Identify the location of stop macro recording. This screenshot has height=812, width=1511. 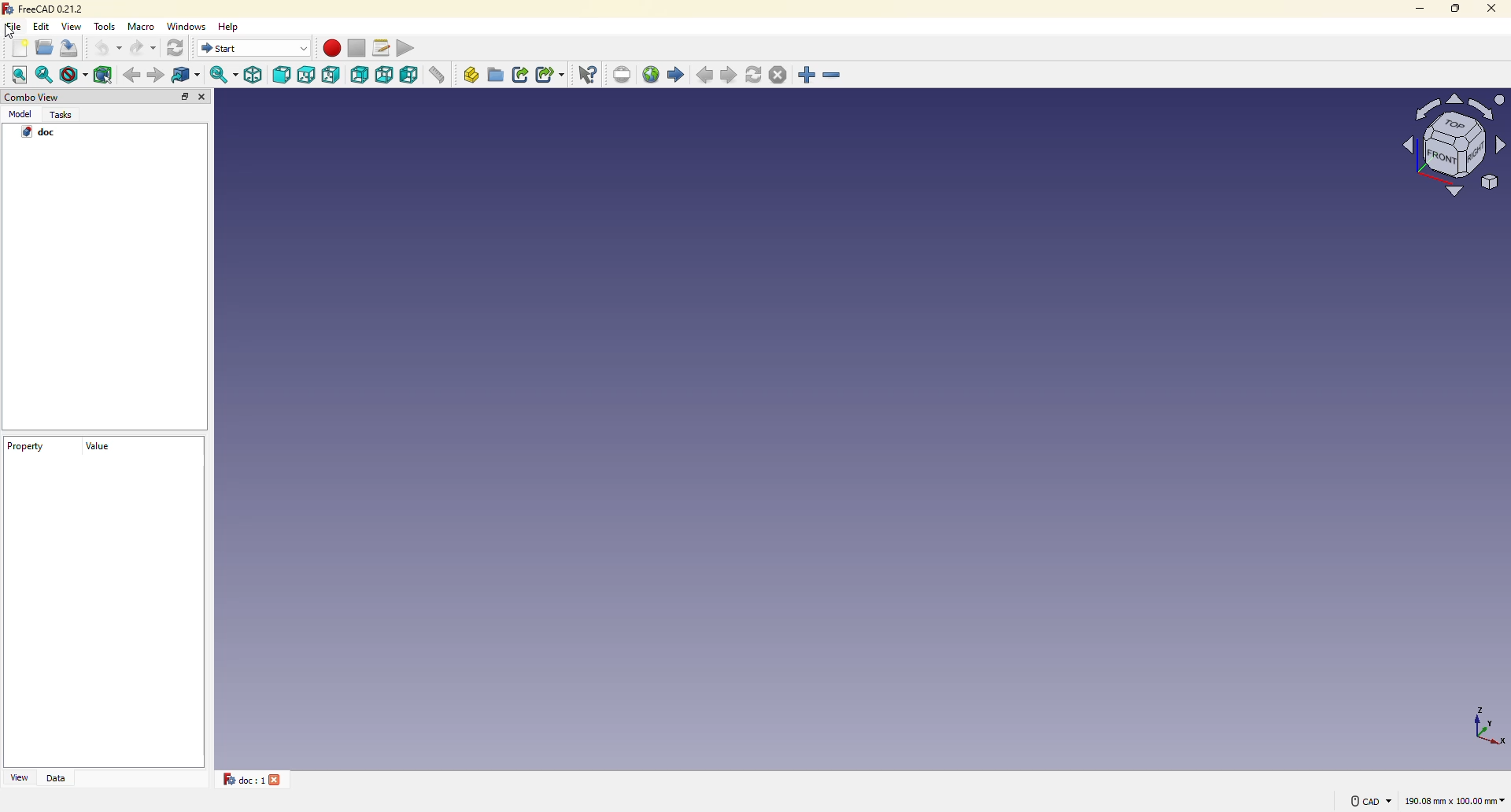
(356, 49).